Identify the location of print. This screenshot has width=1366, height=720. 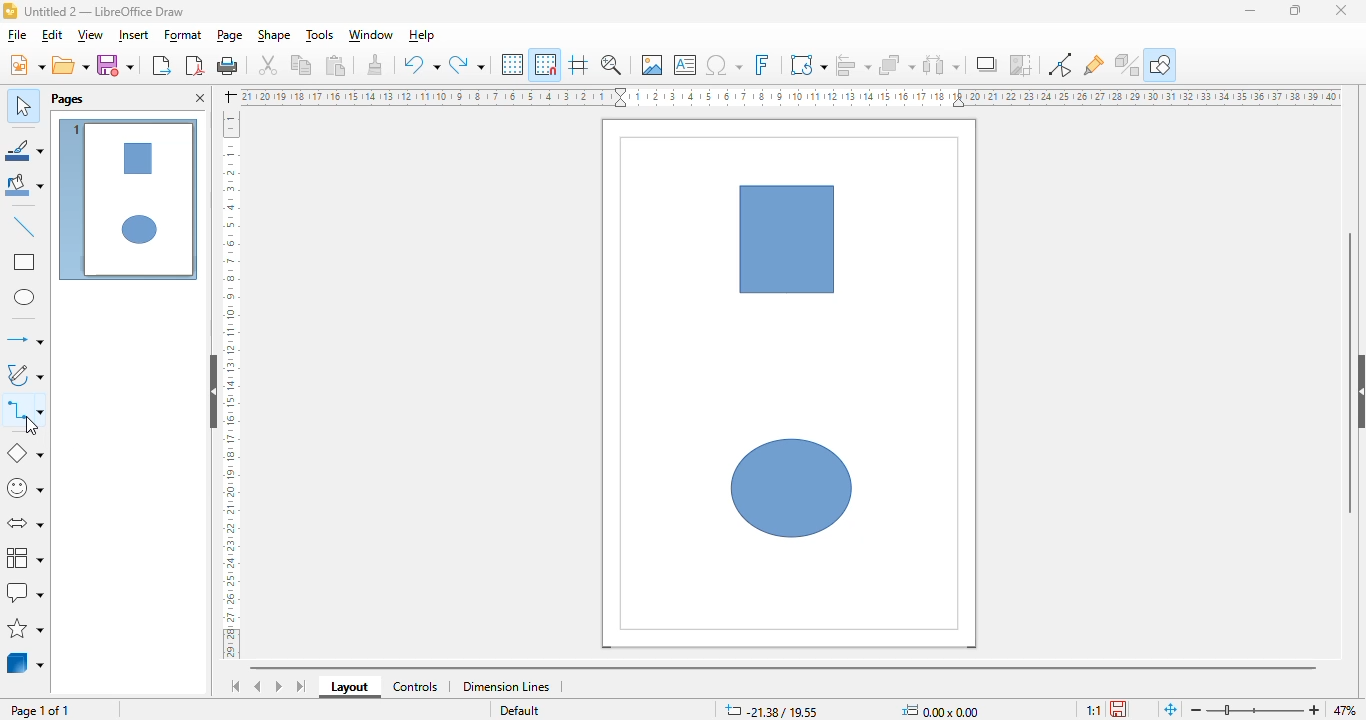
(227, 65).